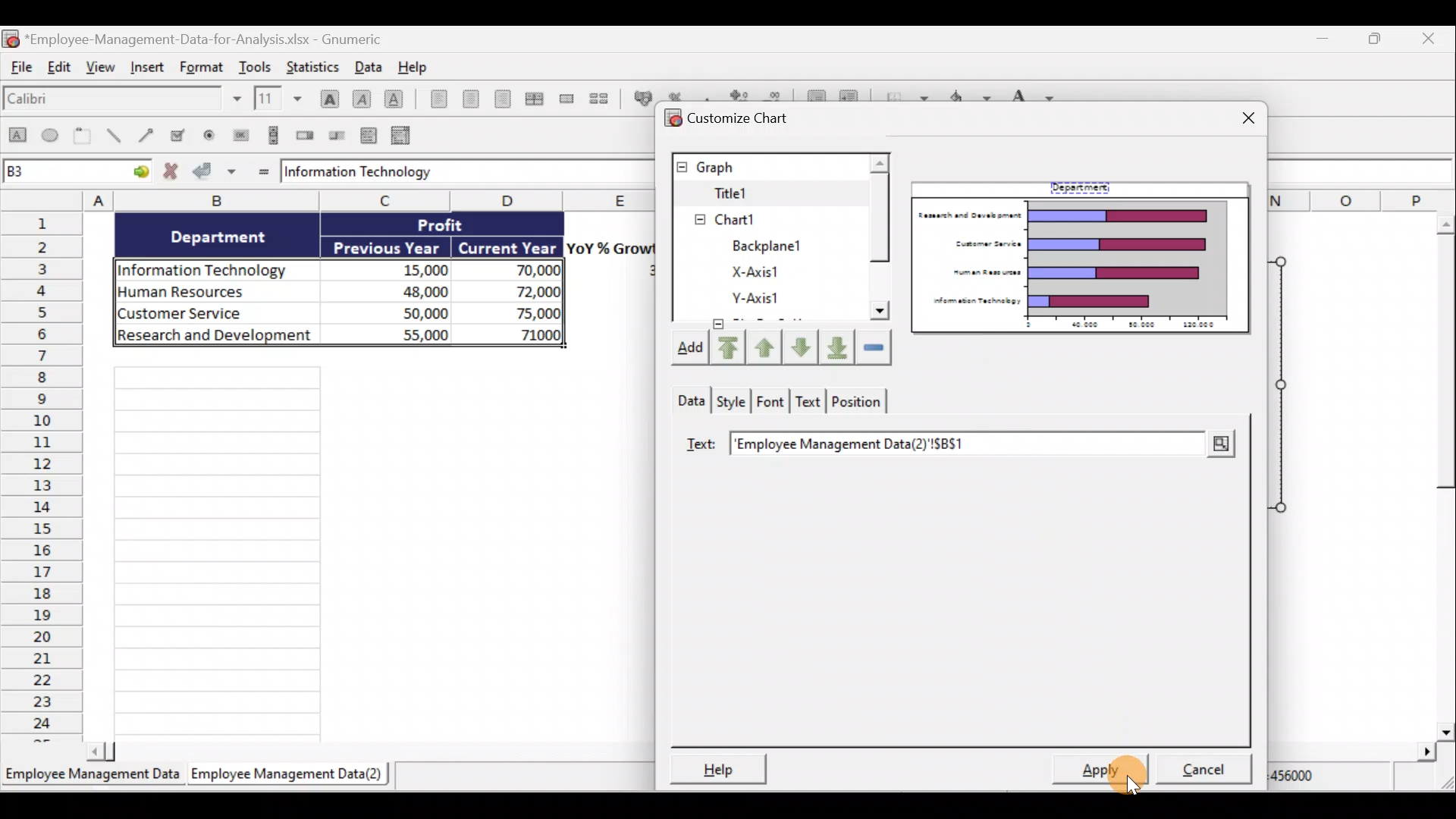 The image size is (1456, 819). I want to click on Customize chart, so click(725, 117).